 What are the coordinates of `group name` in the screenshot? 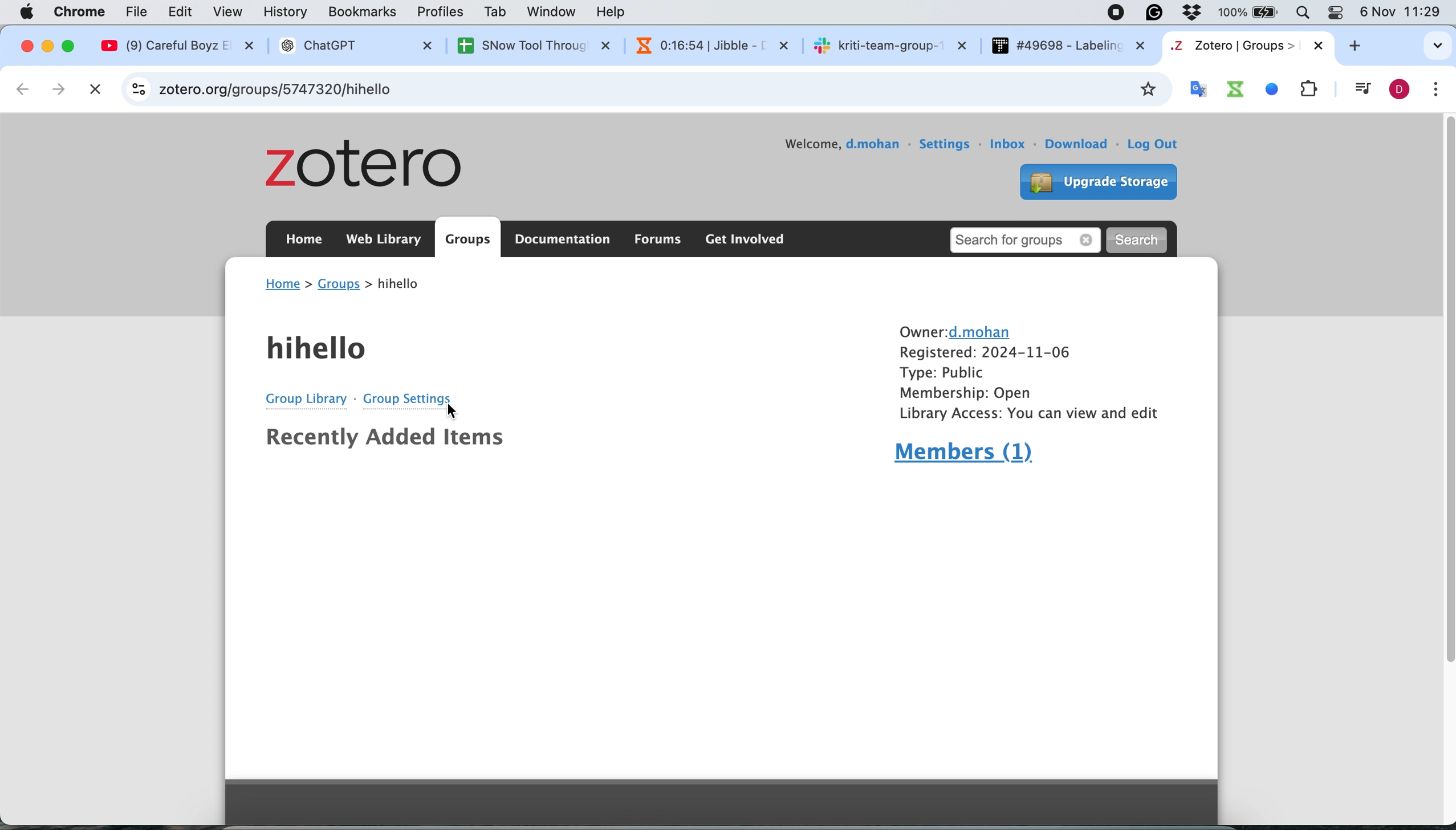 It's located at (397, 285).